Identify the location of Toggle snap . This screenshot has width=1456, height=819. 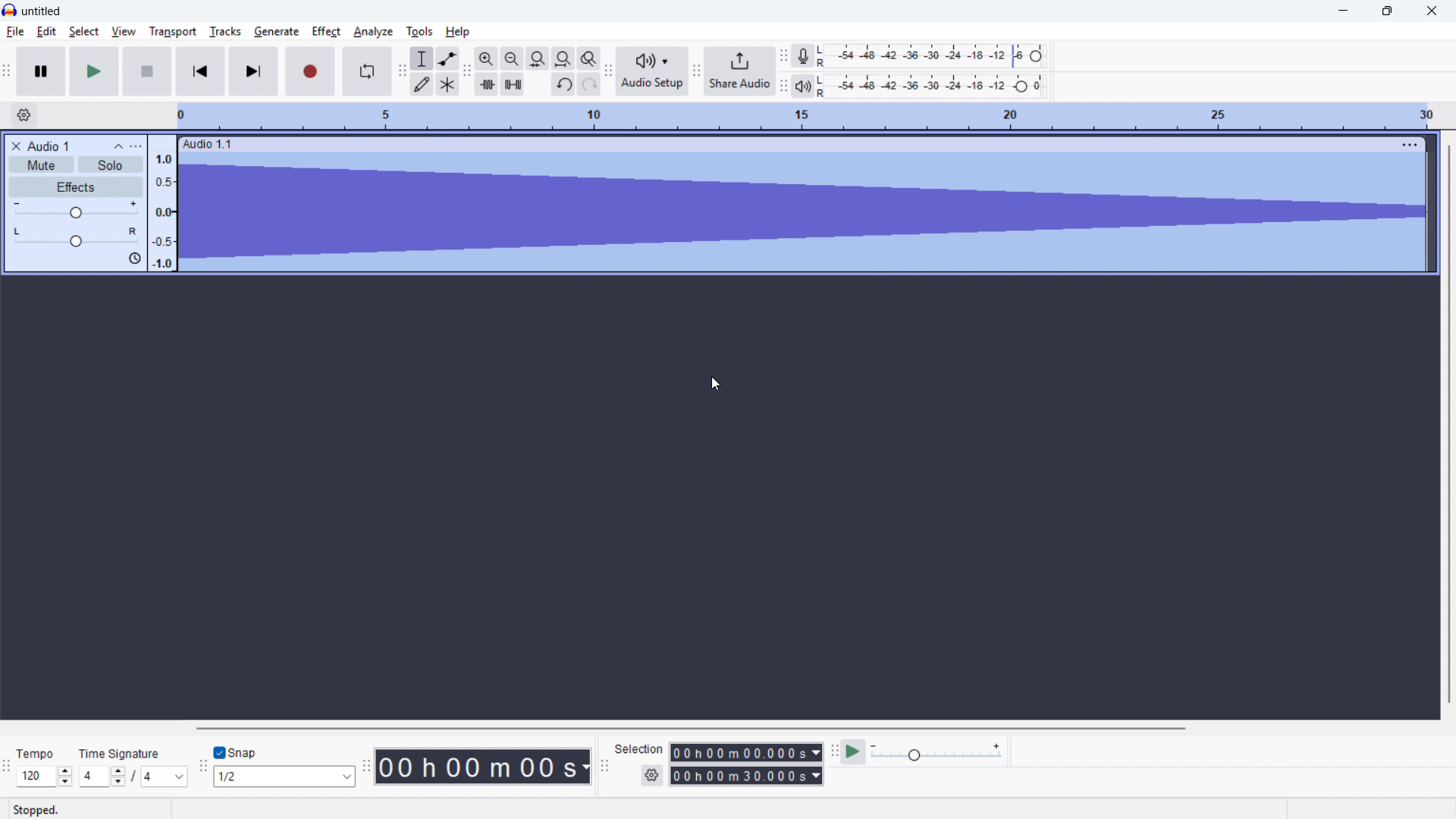
(240, 752).